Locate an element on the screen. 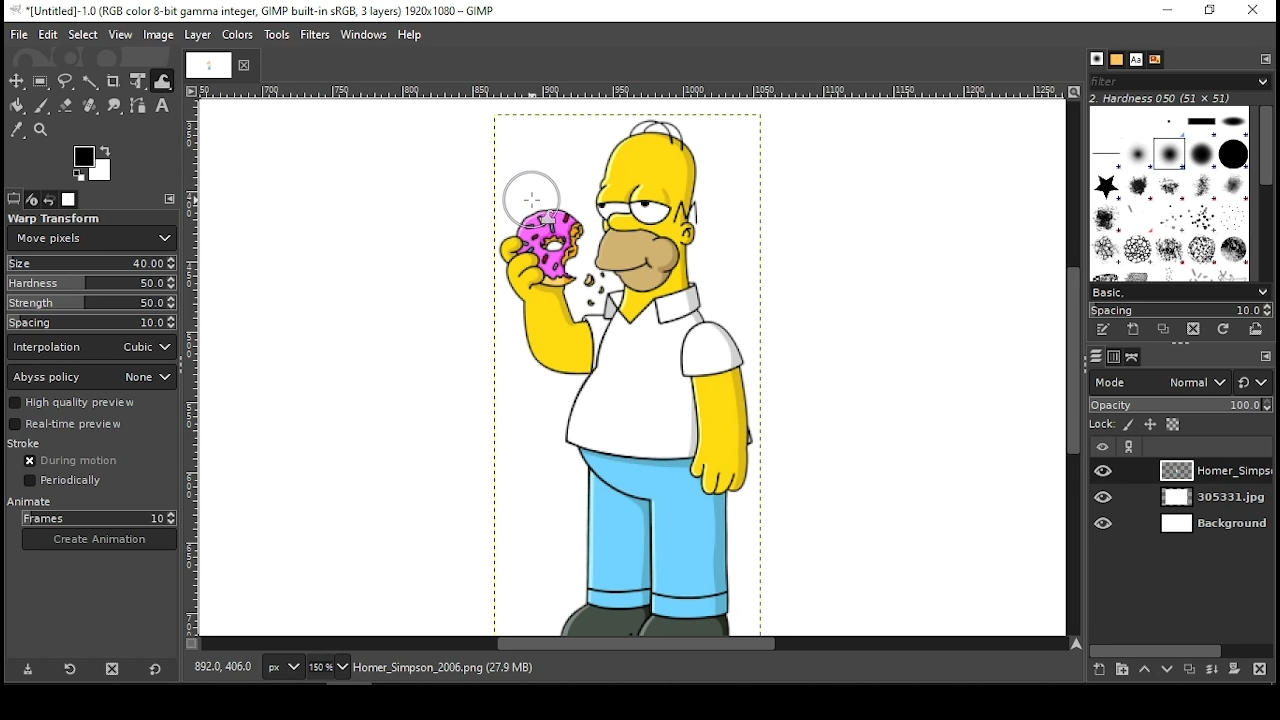 Image resolution: width=1280 pixels, height=720 pixels. layers is located at coordinates (1096, 356).